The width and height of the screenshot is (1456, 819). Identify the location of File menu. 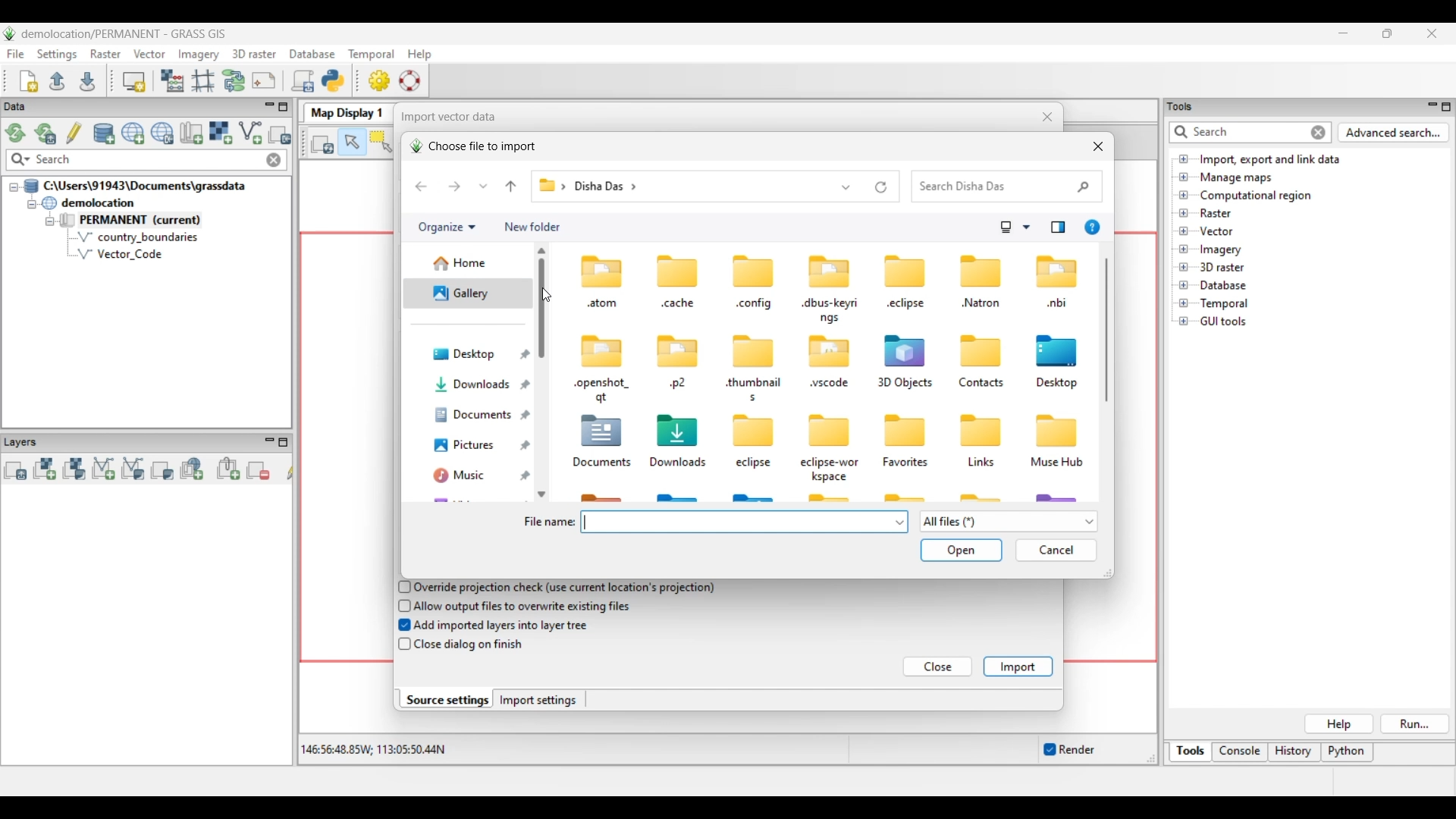
(16, 54).